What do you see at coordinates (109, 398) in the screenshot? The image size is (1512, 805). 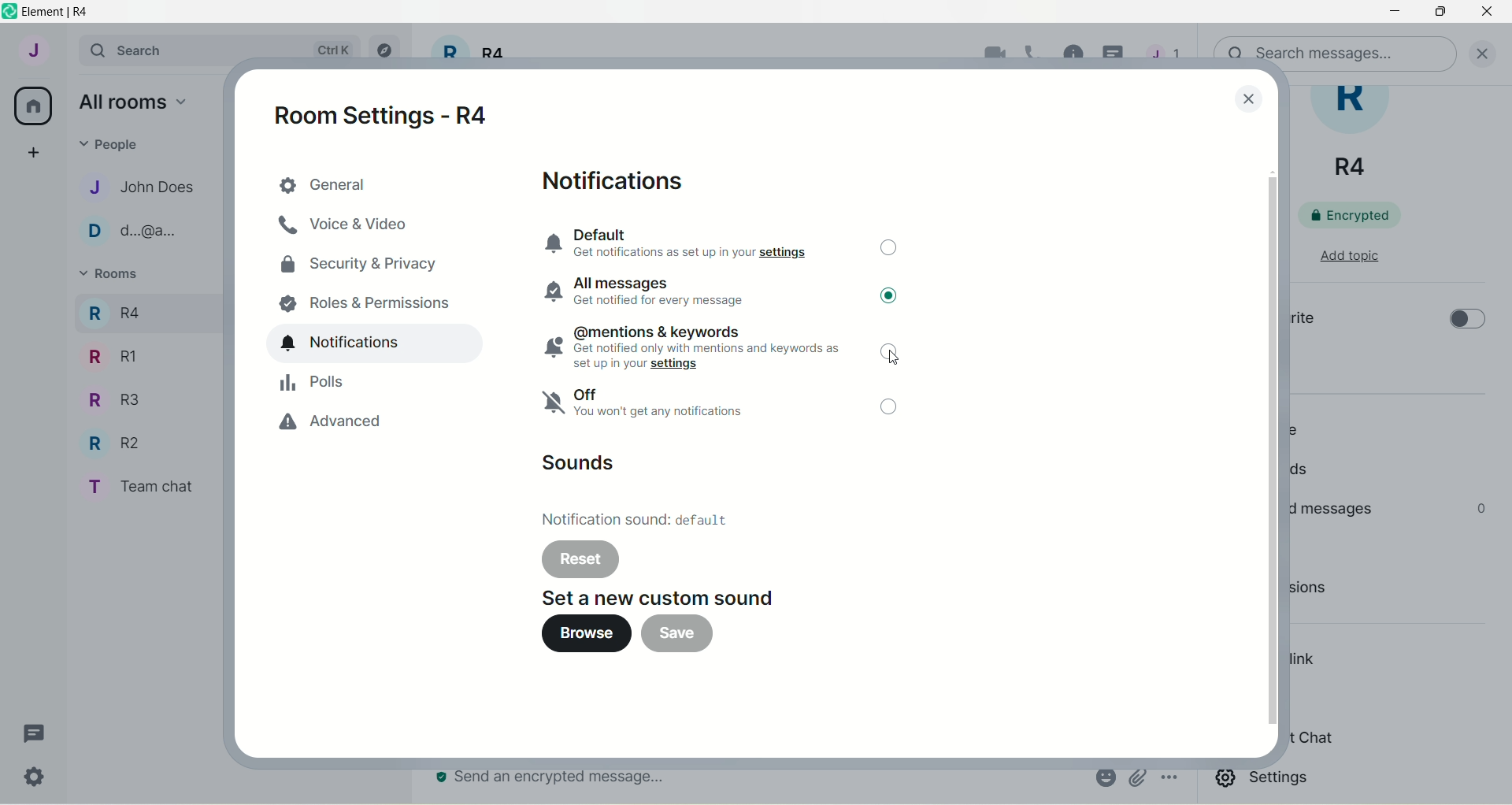 I see `R R3` at bounding box center [109, 398].